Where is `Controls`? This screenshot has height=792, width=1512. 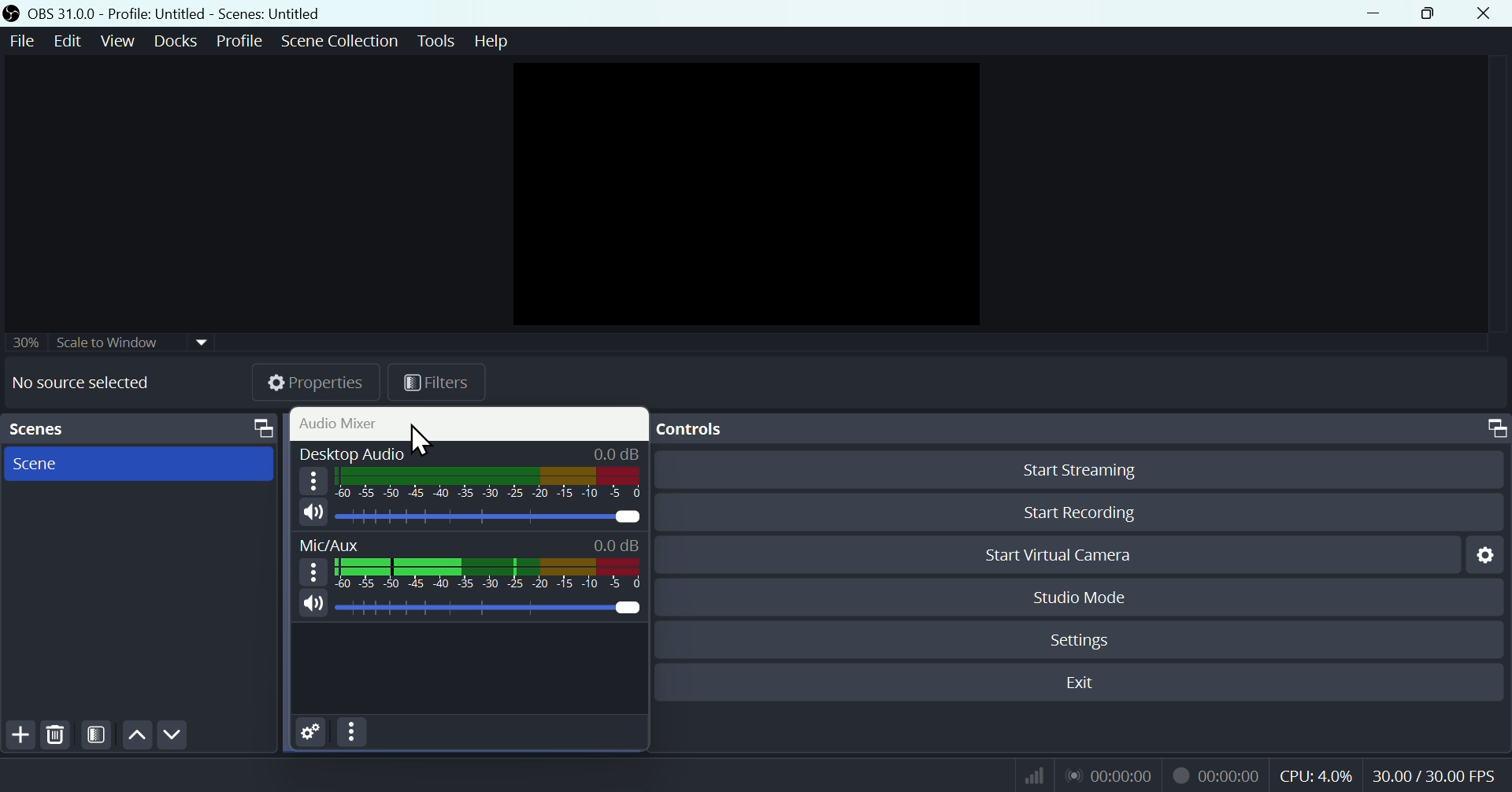 Controls is located at coordinates (1083, 430).